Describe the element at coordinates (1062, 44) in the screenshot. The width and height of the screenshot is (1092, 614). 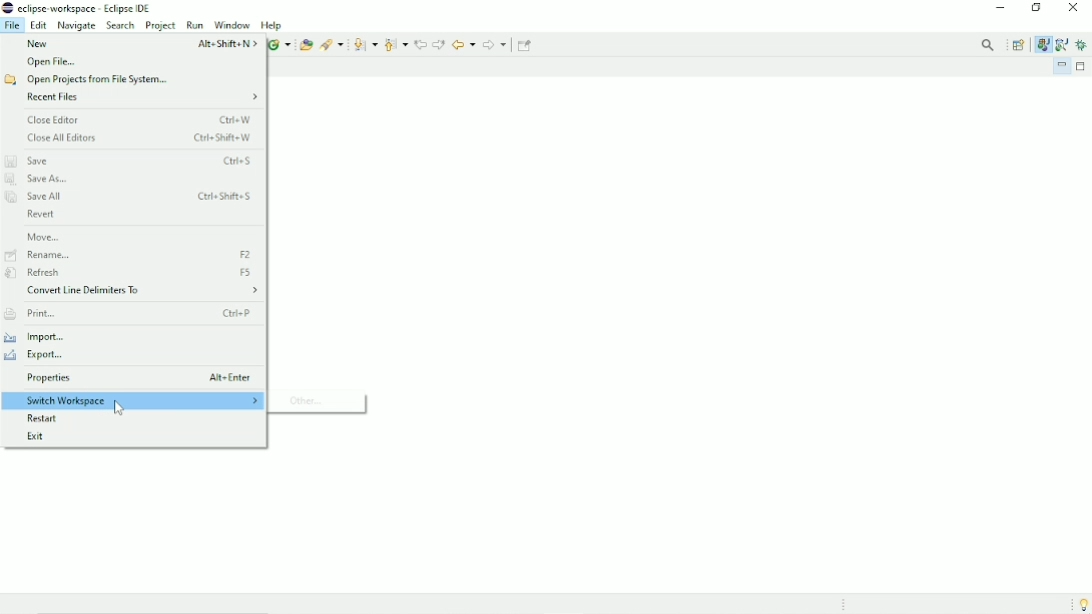
I see `Java browsing` at that location.